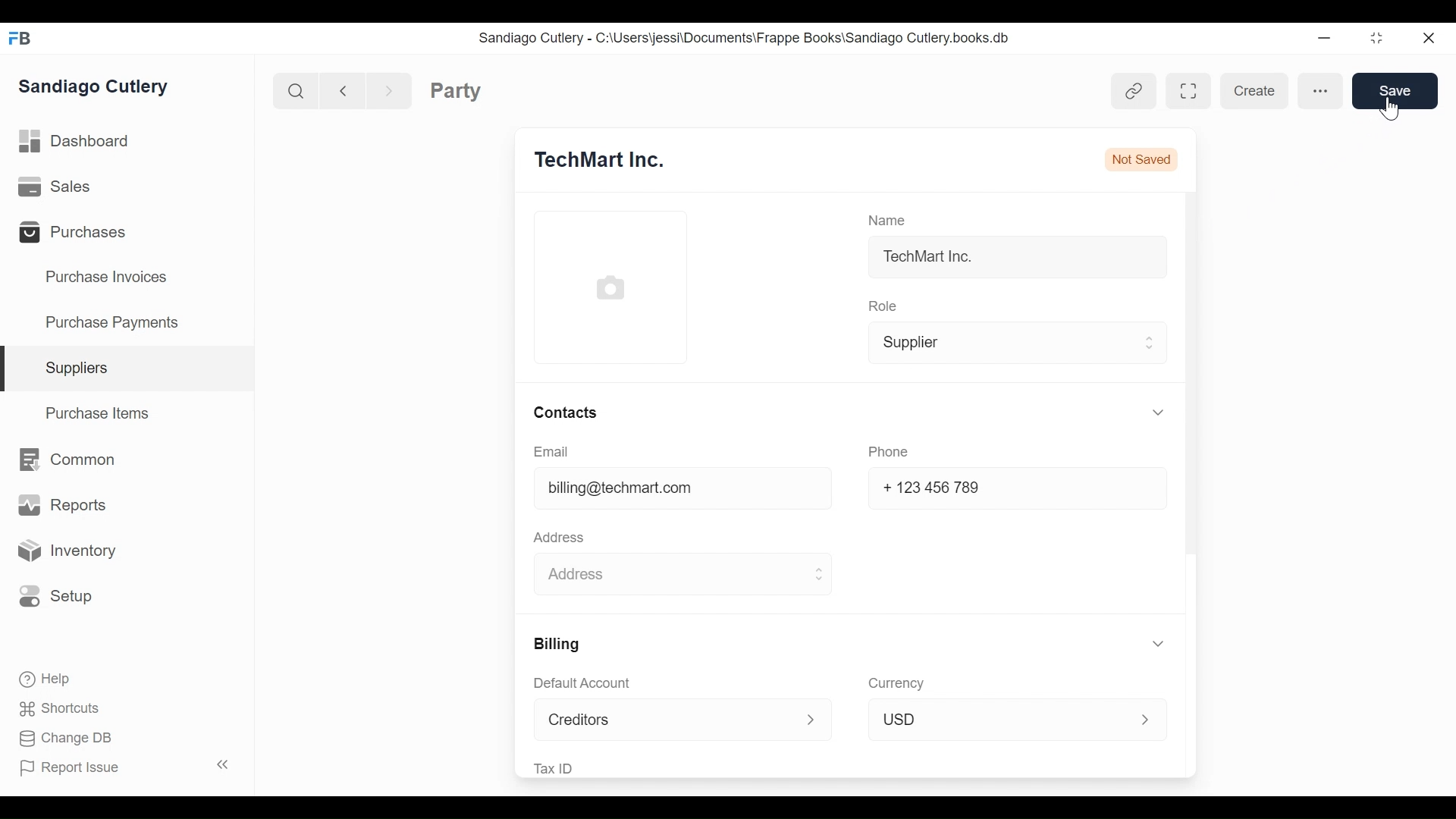 This screenshot has height=819, width=1456. What do you see at coordinates (610, 289) in the screenshot?
I see `profile picture` at bounding box center [610, 289].